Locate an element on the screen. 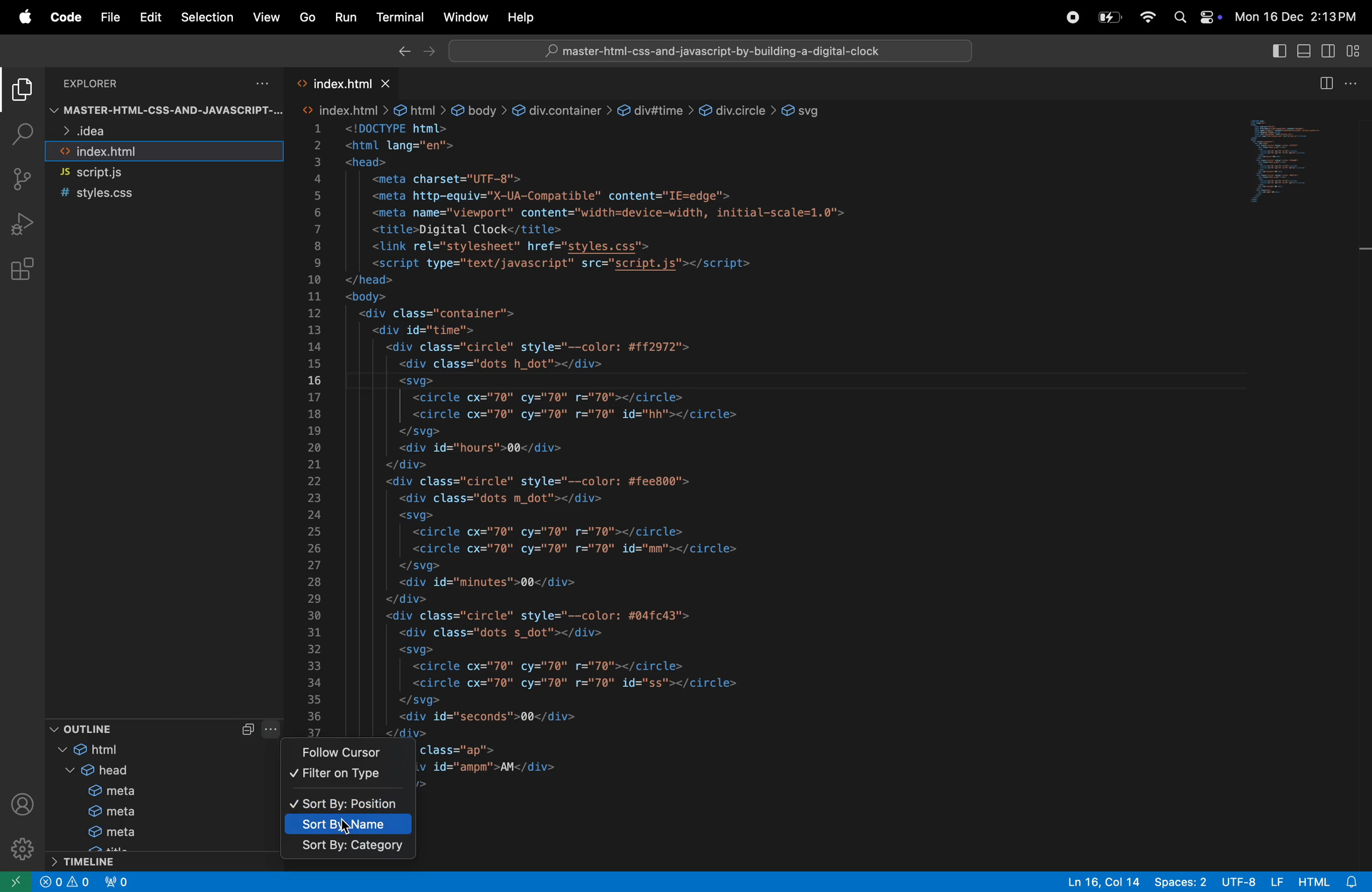 This screenshot has width=1372, height=892. selection is located at coordinates (205, 18).